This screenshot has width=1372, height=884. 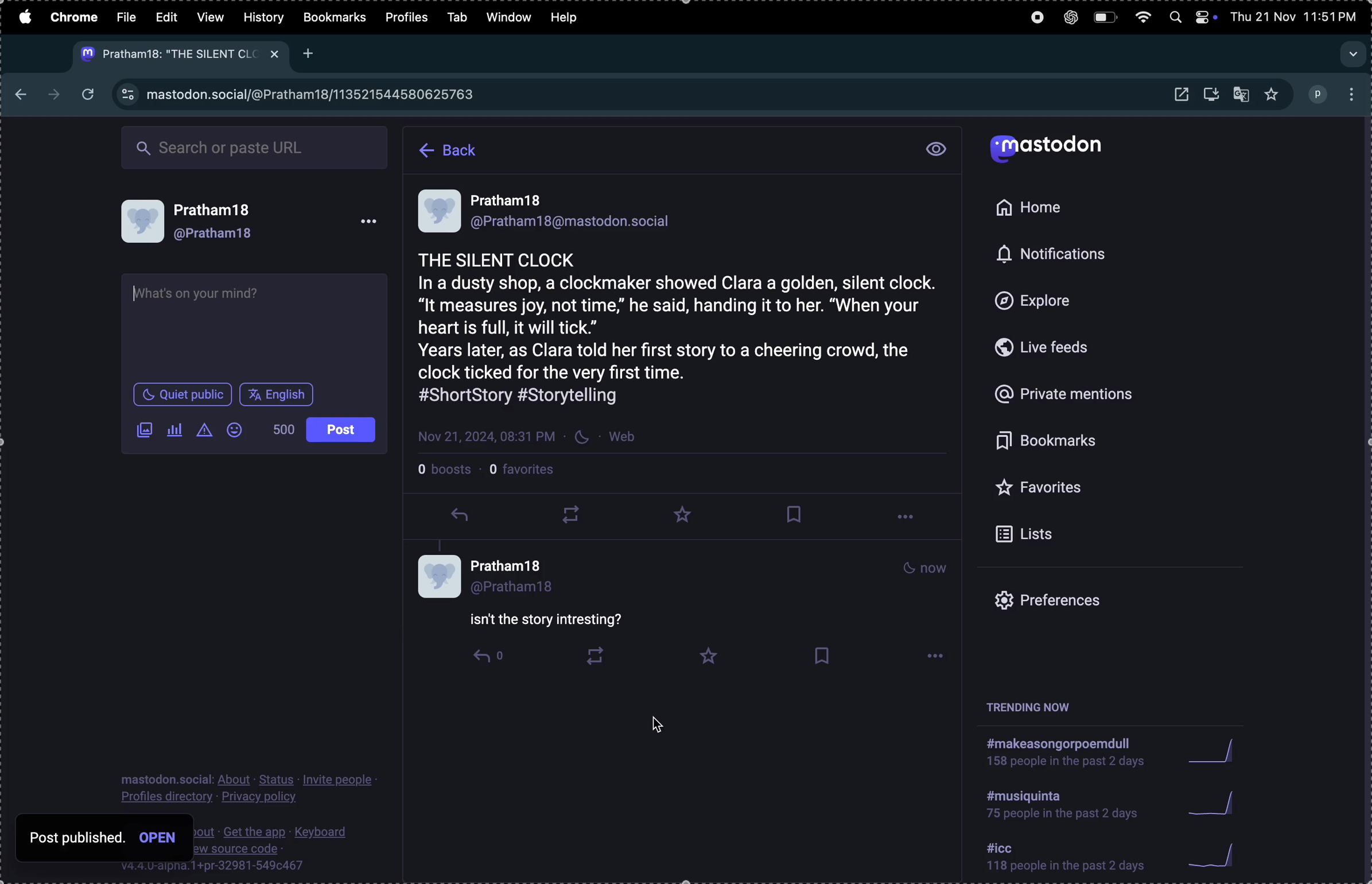 What do you see at coordinates (90, 95) in the screenshot?
I see `refresh` at bounding box center [90, 95].